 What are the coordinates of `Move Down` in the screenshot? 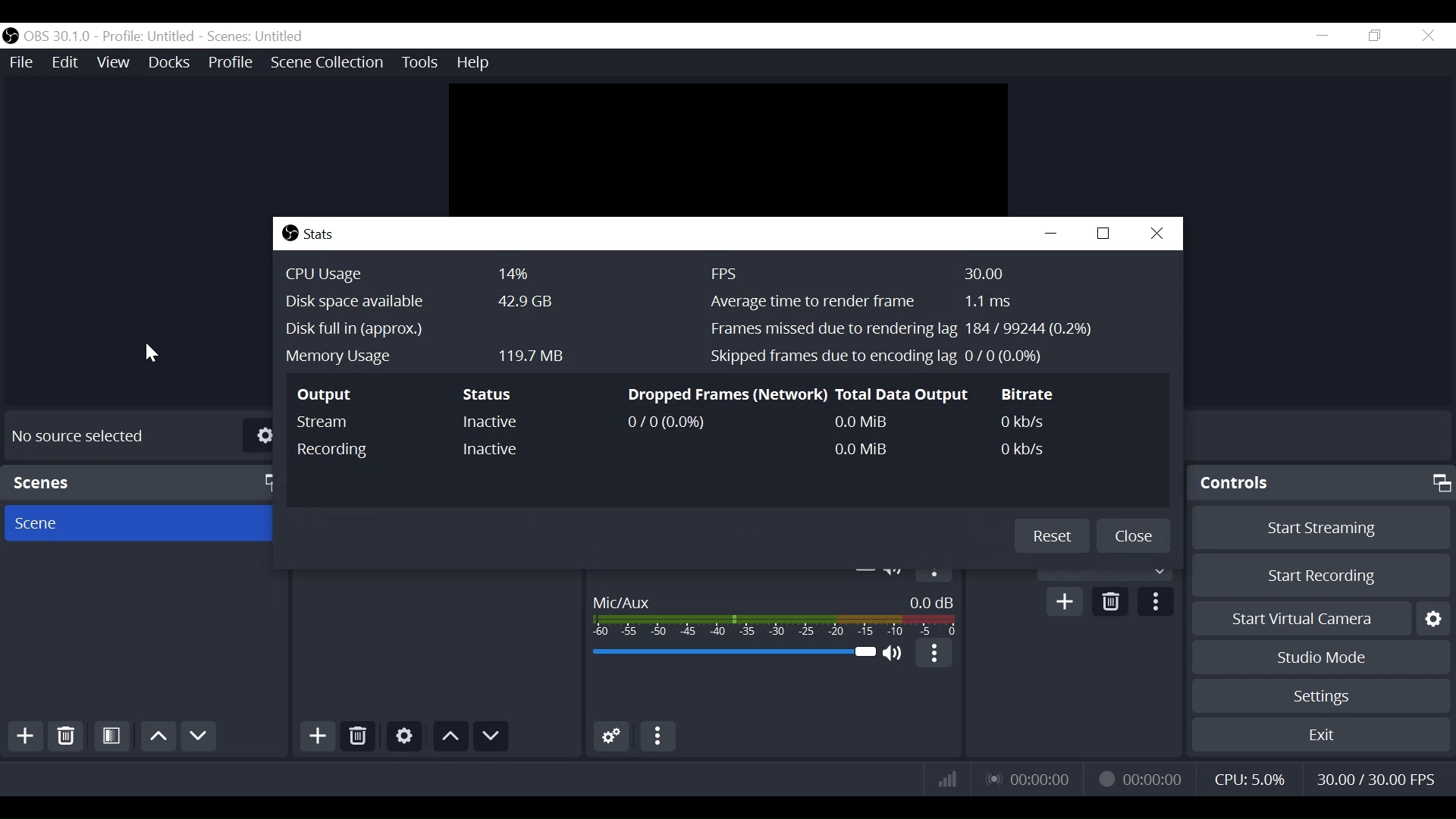 It's located at (202, 737).